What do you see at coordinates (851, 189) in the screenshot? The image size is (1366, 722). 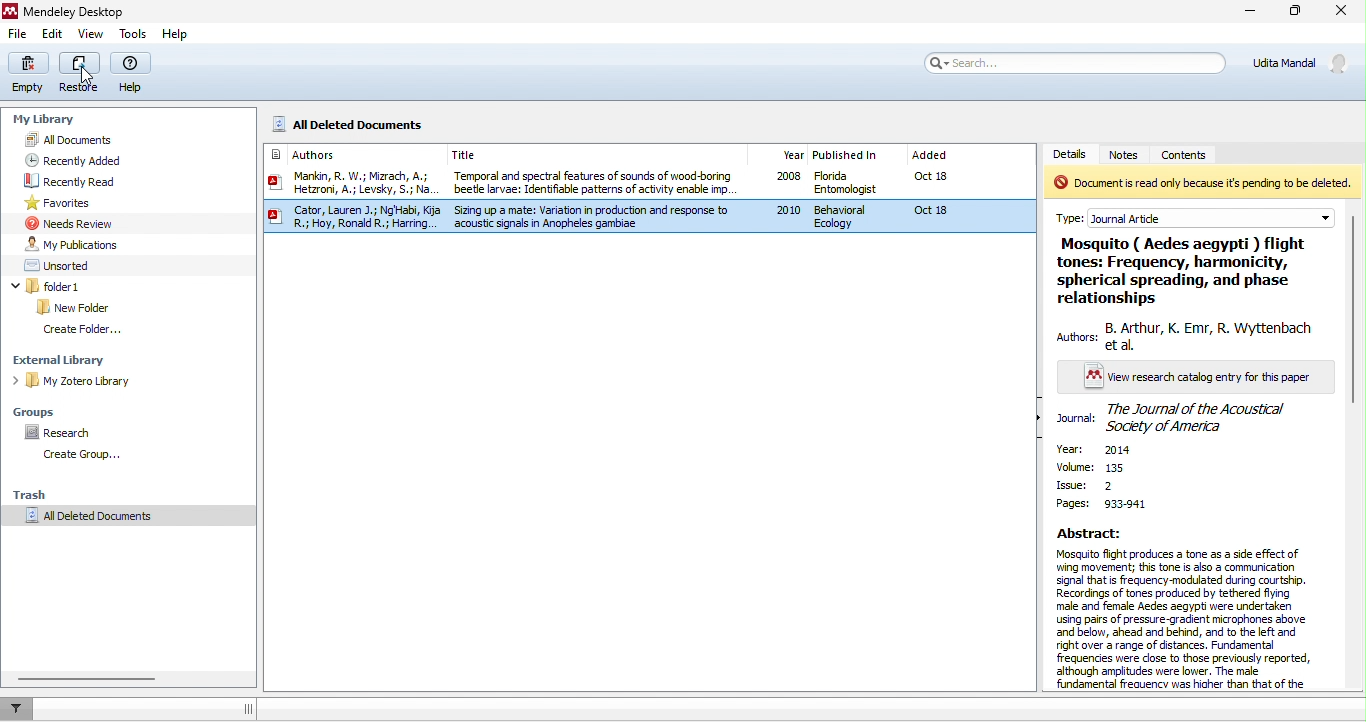 I see `ar Published In FordsEntomdogst BehavioralEcology` at bounding box center [851, 189].